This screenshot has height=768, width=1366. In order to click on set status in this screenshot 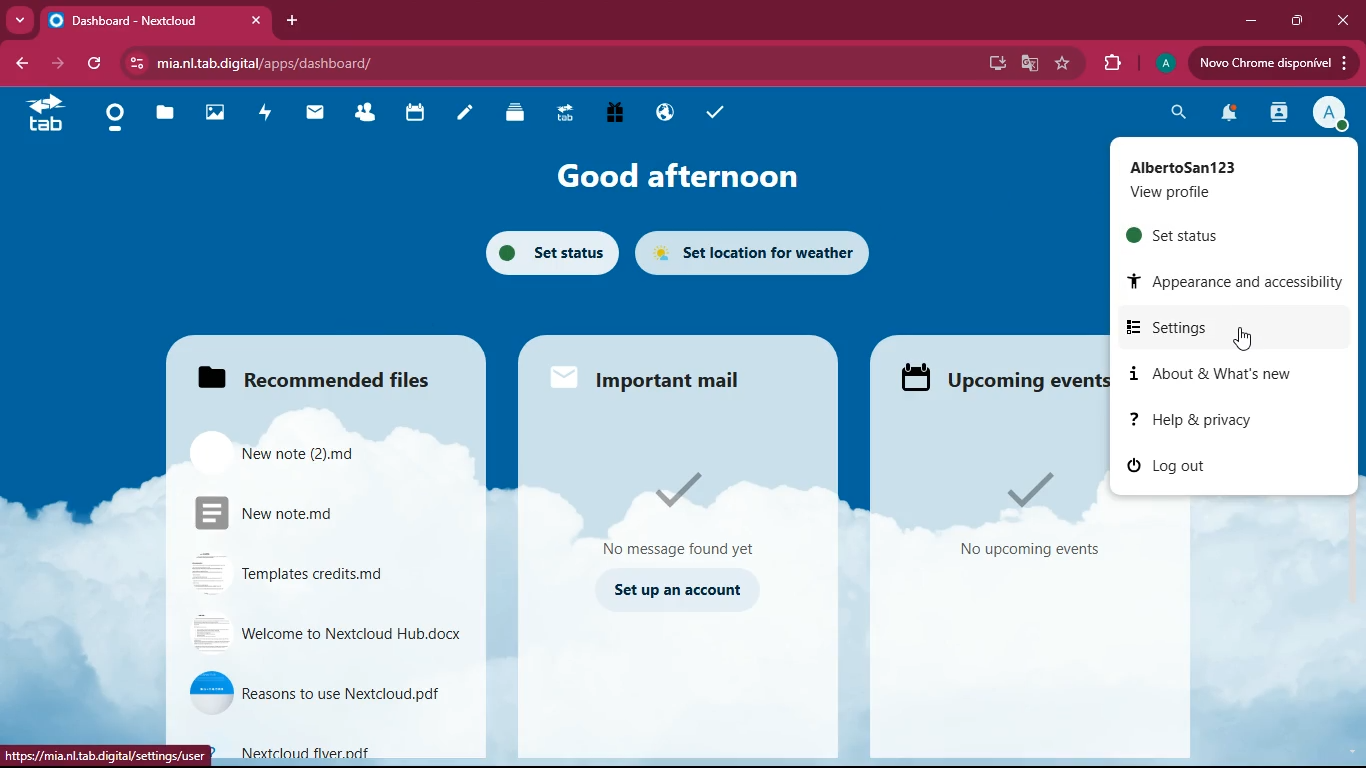, I will do `click(547, 252)`.